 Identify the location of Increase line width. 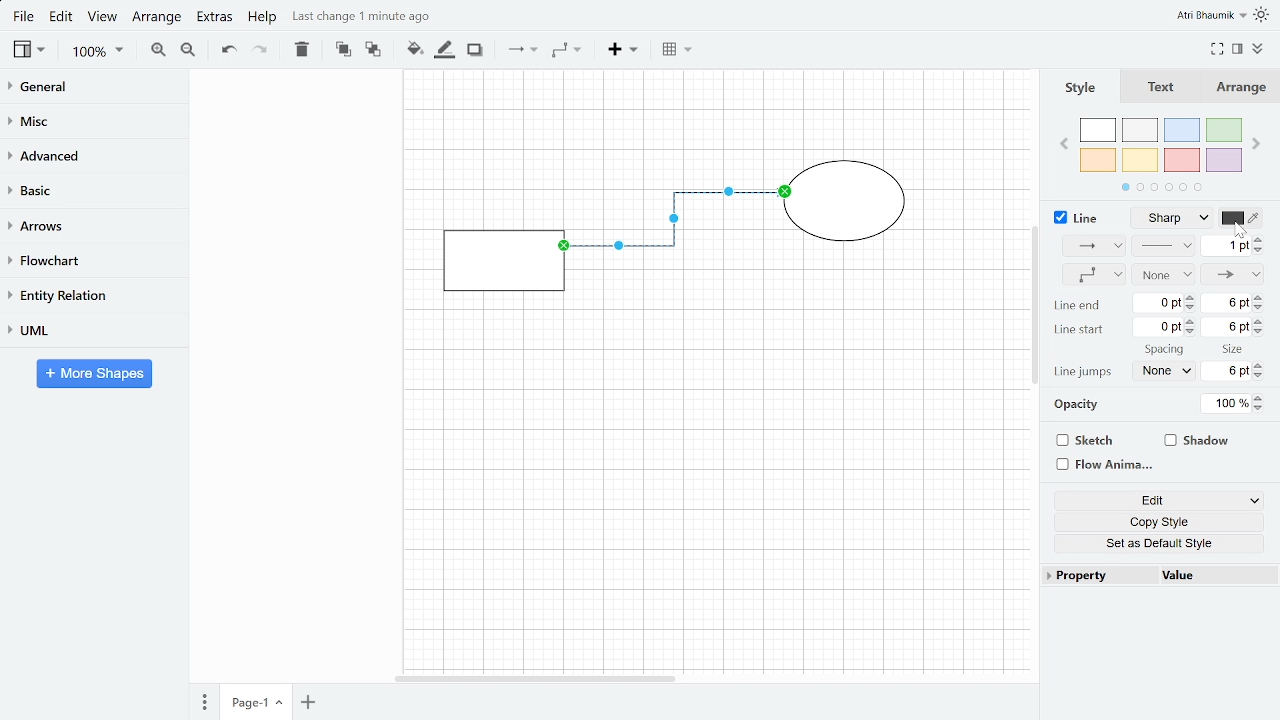
(1261, 239).